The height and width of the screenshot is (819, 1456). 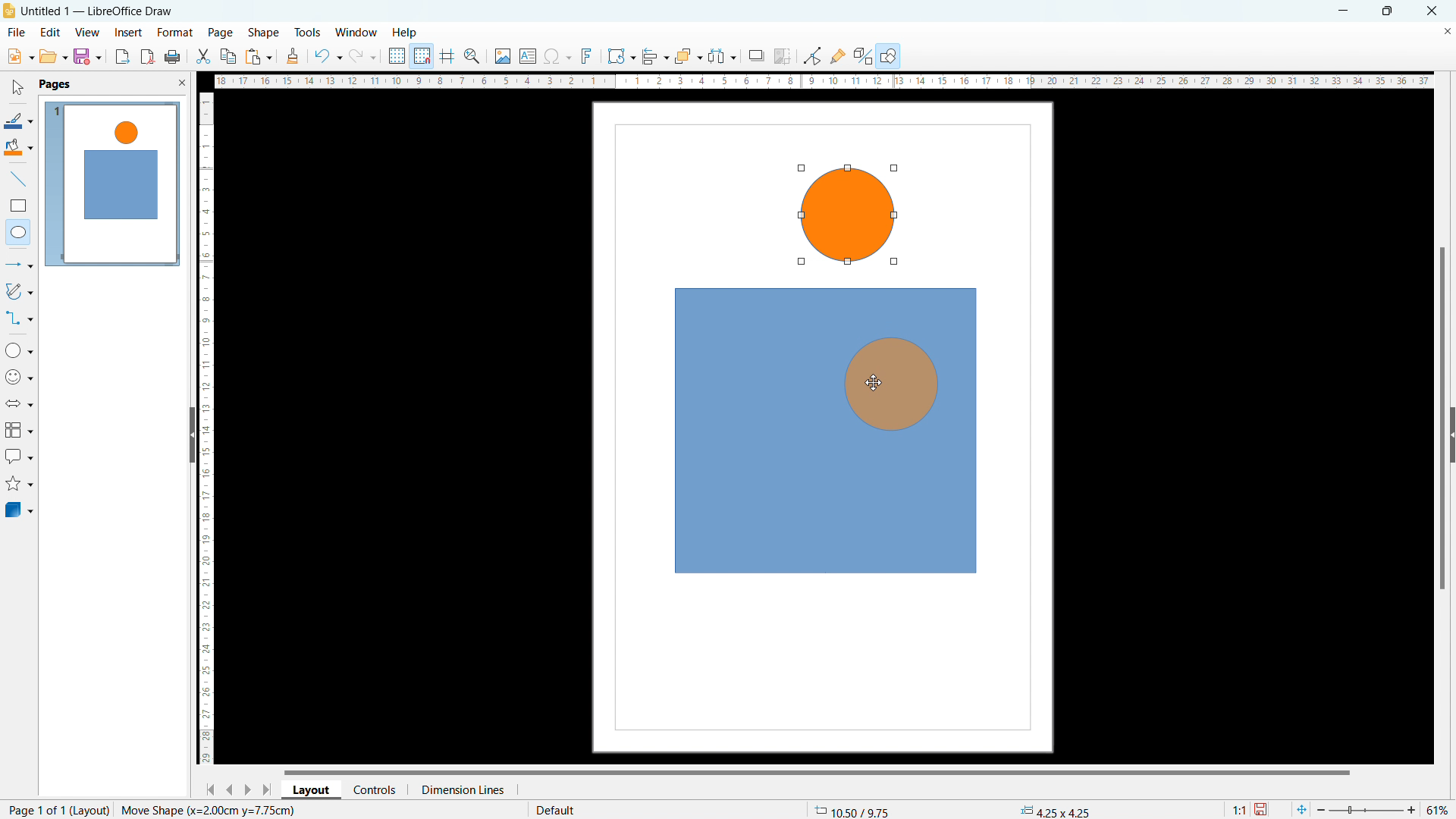 I want to click on zoom in, so click(x=1412, y=808).